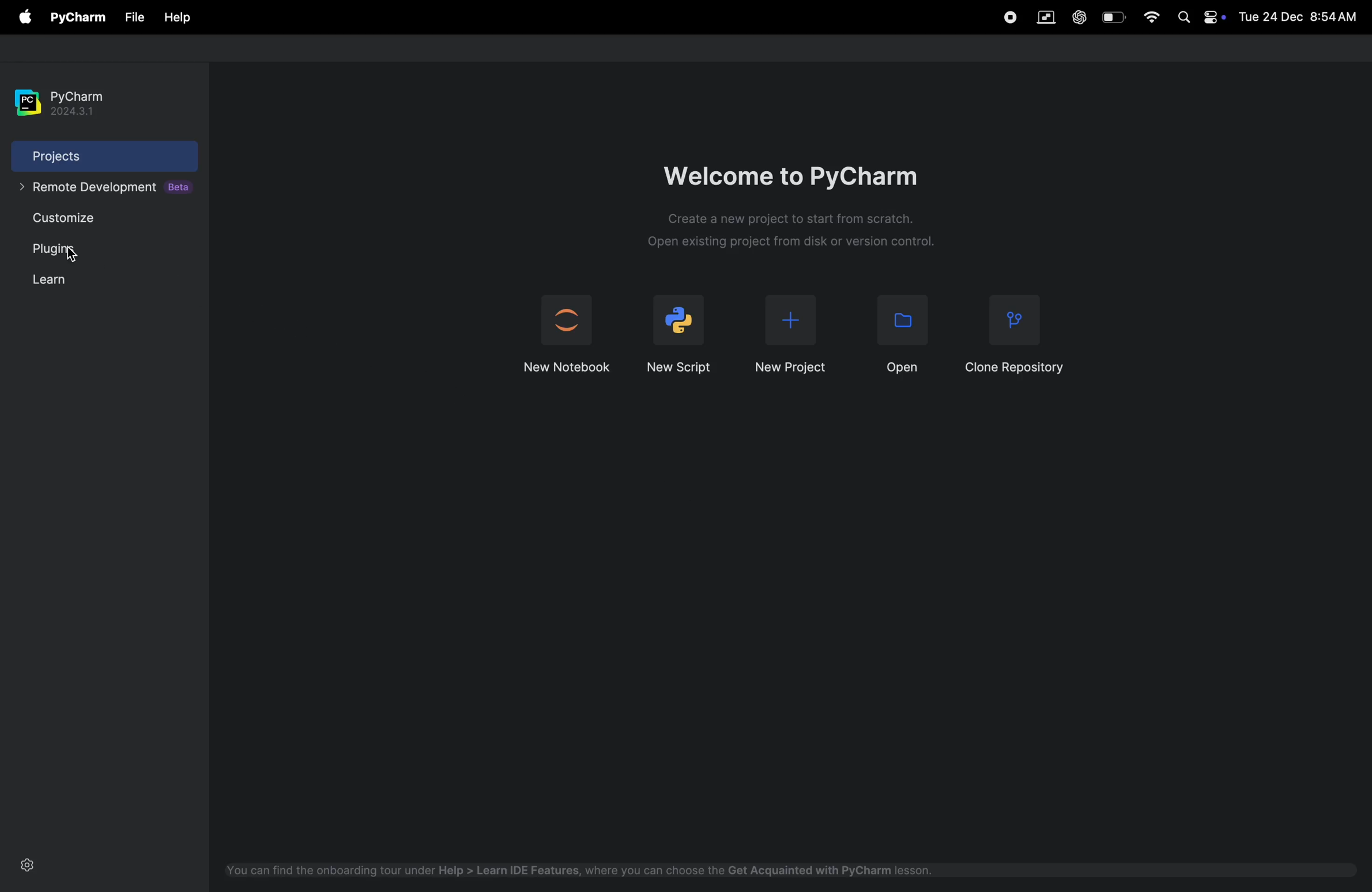 The height and width of the screenshot is (892, 1372). Describe the element at coordinates (24, 16) in the screenshot. I see `apple menu` at that location.